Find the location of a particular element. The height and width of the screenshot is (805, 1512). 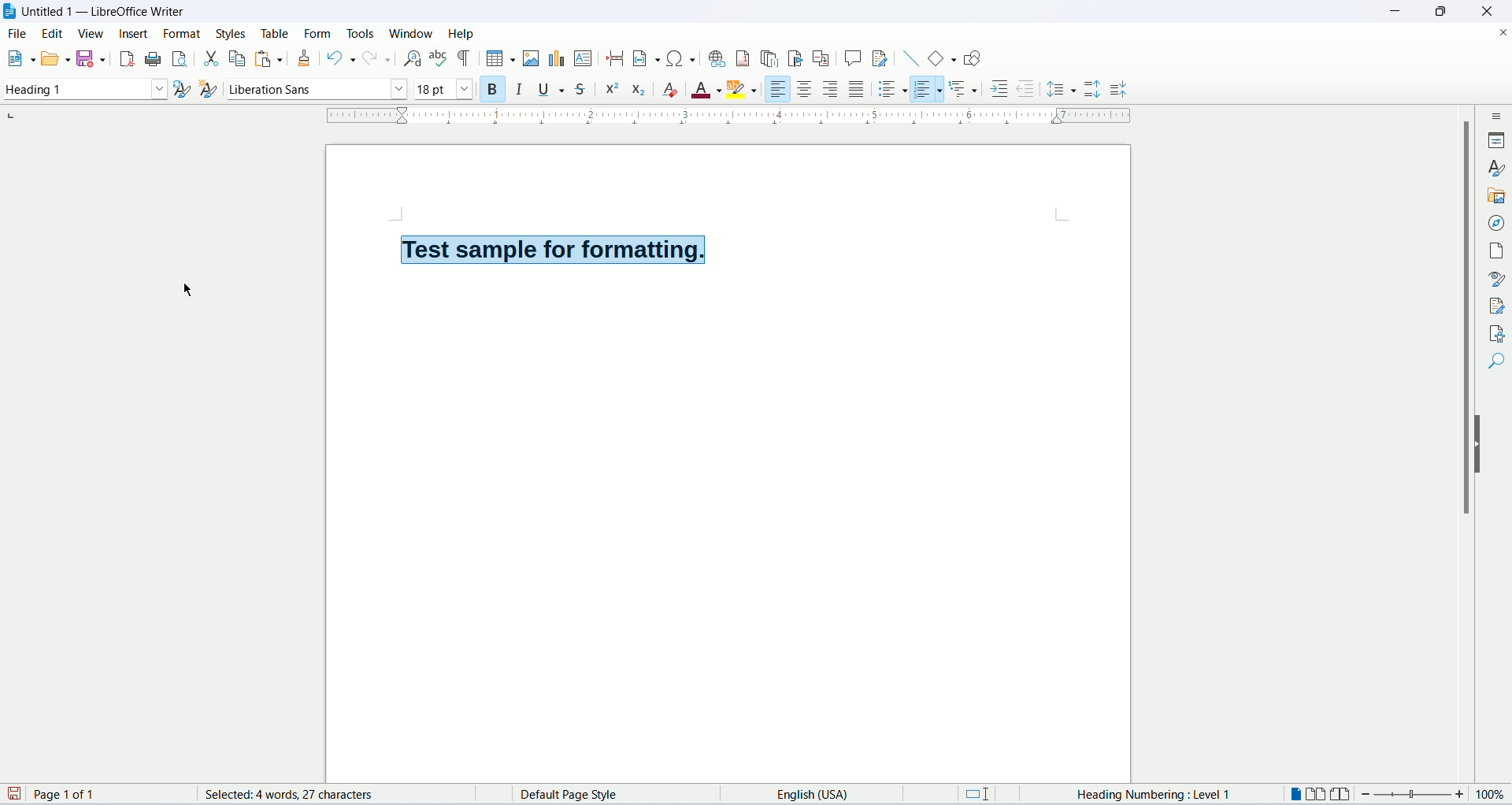

table is located at coordinates (272, 32).